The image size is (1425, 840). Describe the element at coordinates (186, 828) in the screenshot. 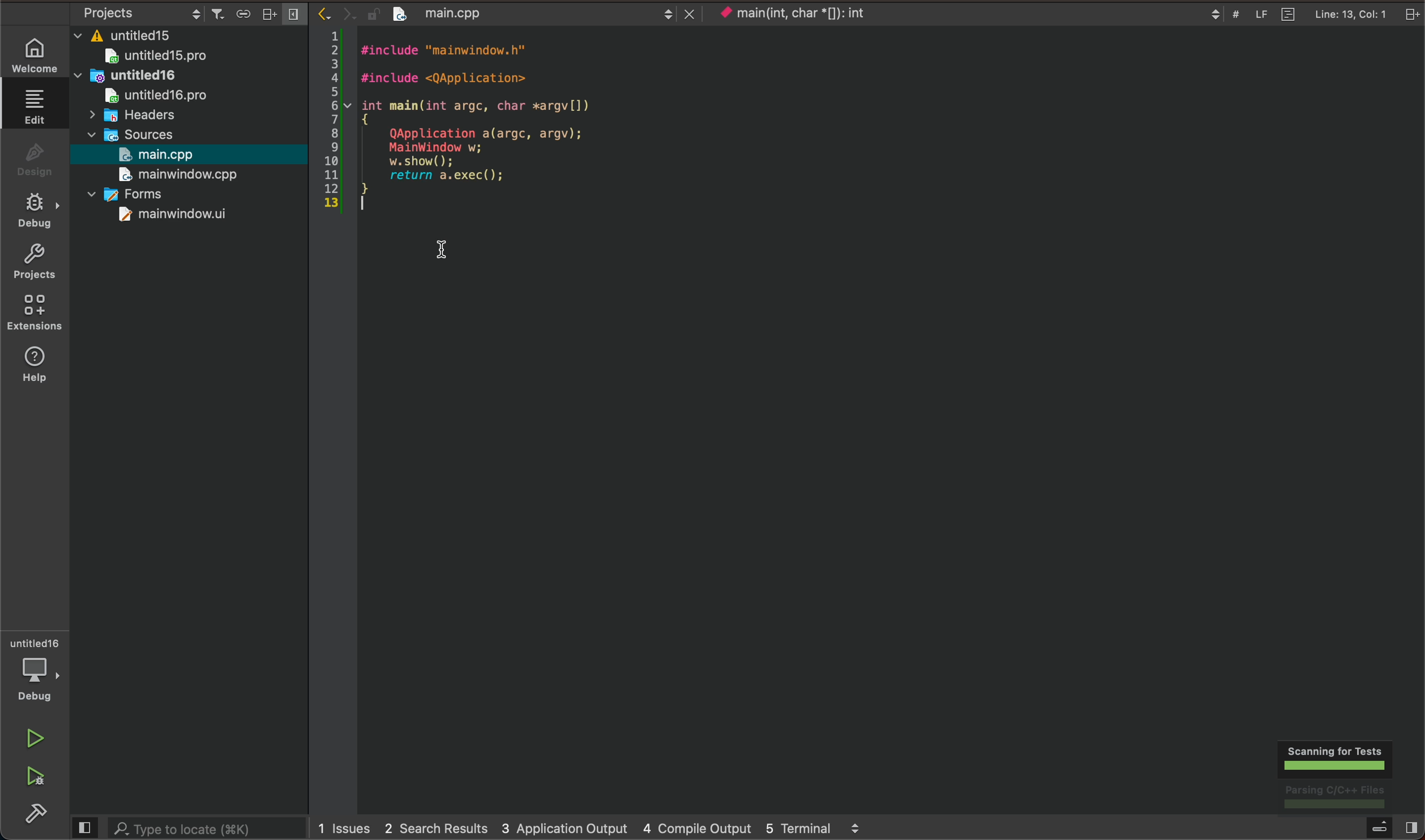

I see `search` at that location.